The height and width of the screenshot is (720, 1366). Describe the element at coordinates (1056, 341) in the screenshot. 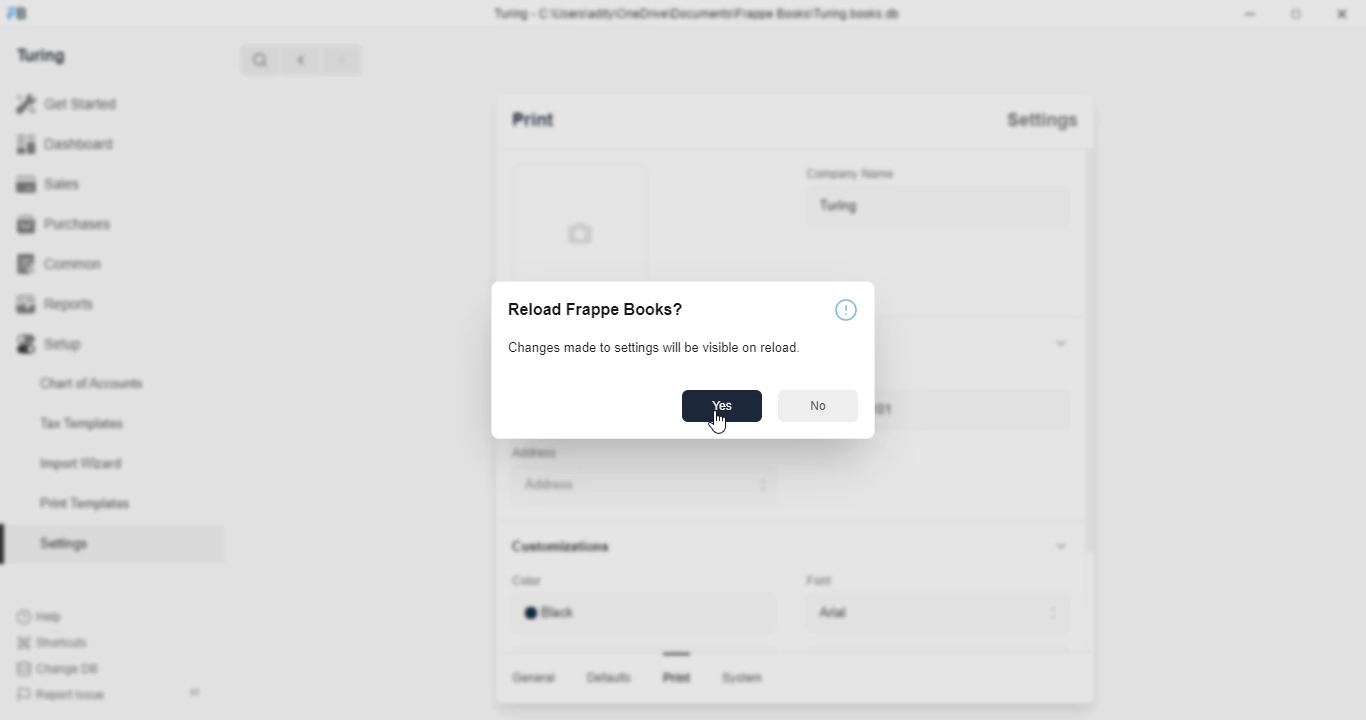

I see `collapse` at that location.